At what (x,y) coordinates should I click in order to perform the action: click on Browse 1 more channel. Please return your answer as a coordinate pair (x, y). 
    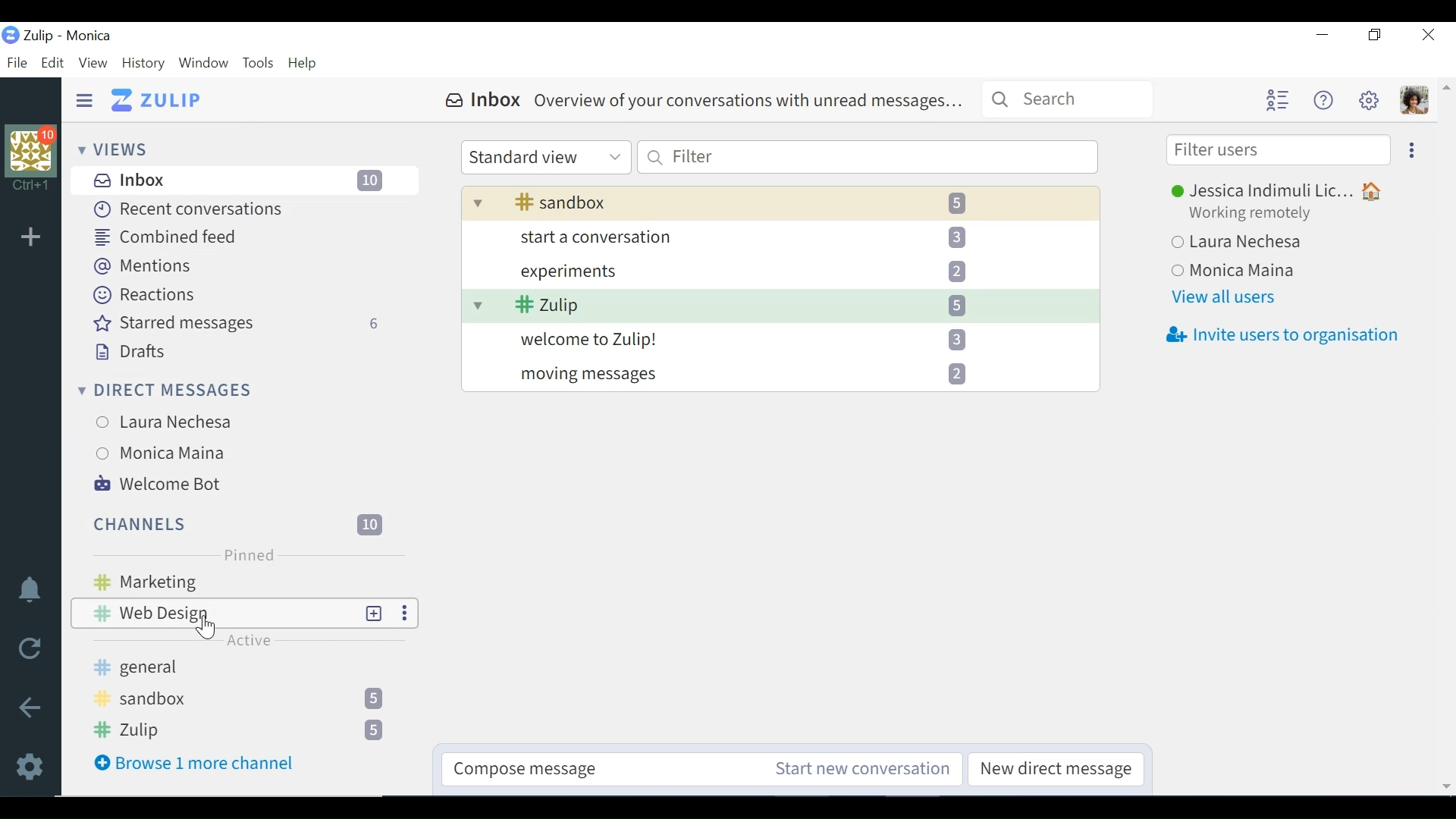
    Looking at the image, I should click on (197, 764).